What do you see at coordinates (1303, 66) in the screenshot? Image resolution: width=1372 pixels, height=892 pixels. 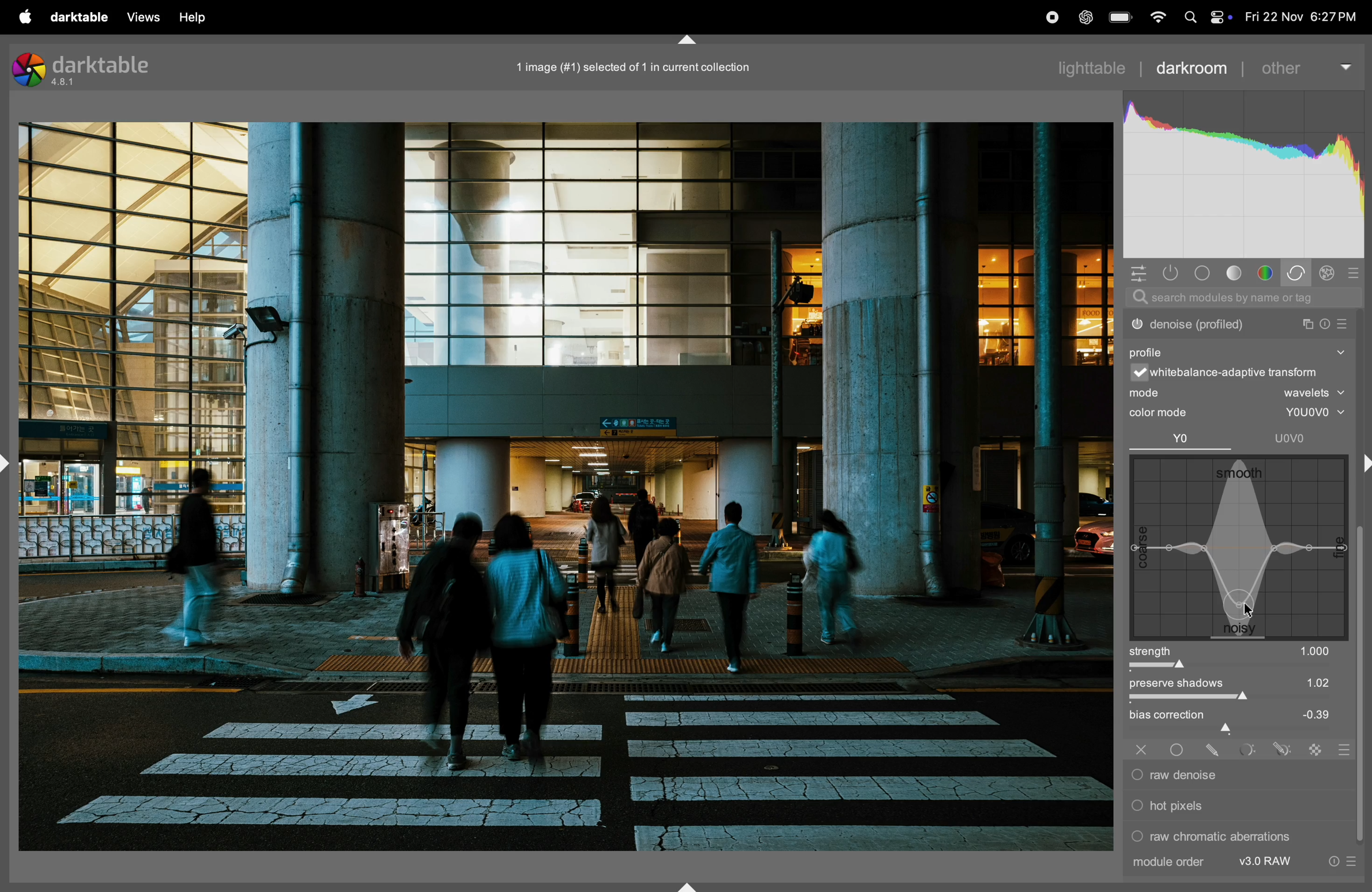 I see `other` at bounding box center [1303, 66].